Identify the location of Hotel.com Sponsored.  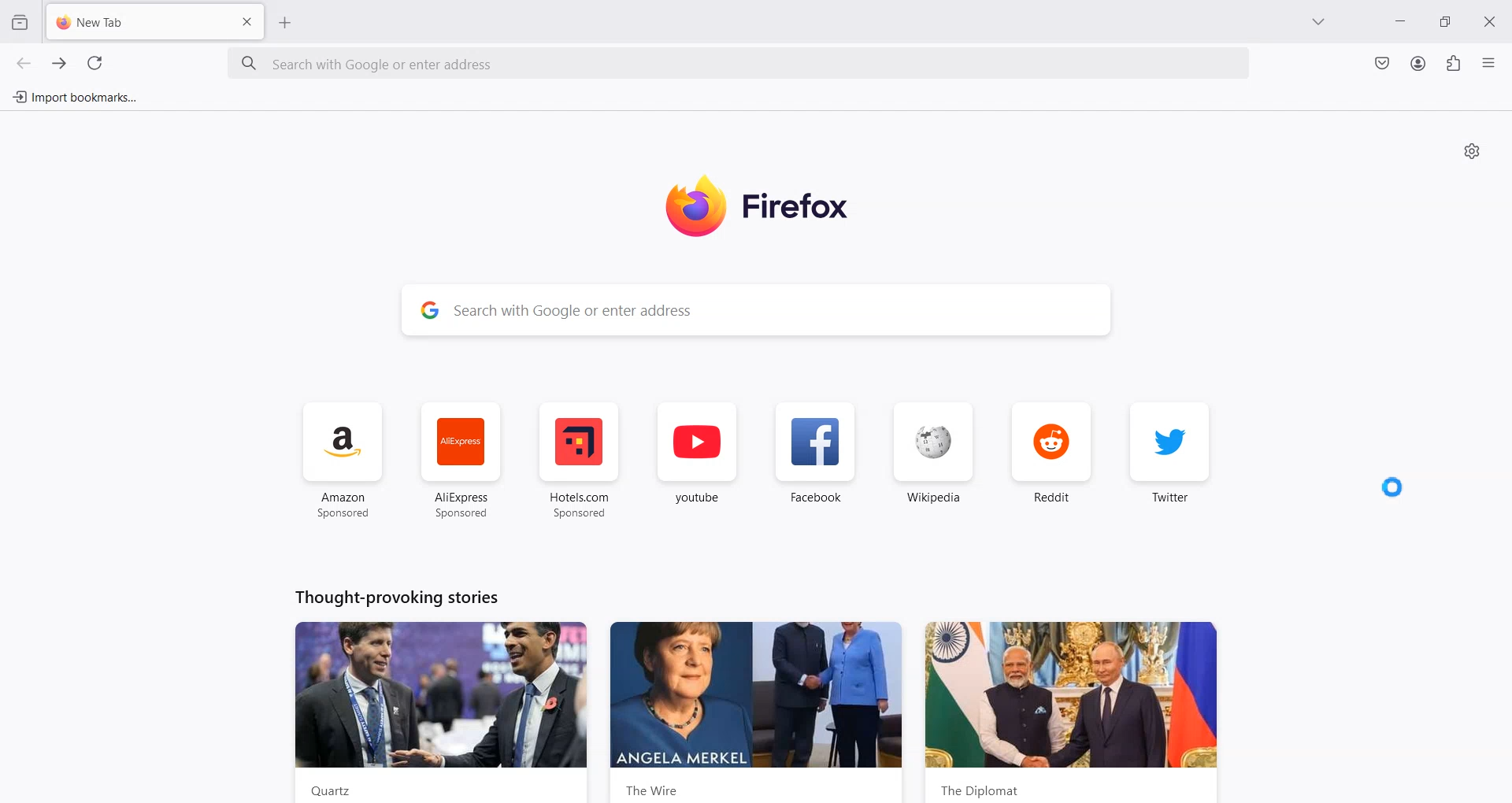
(578, 460).